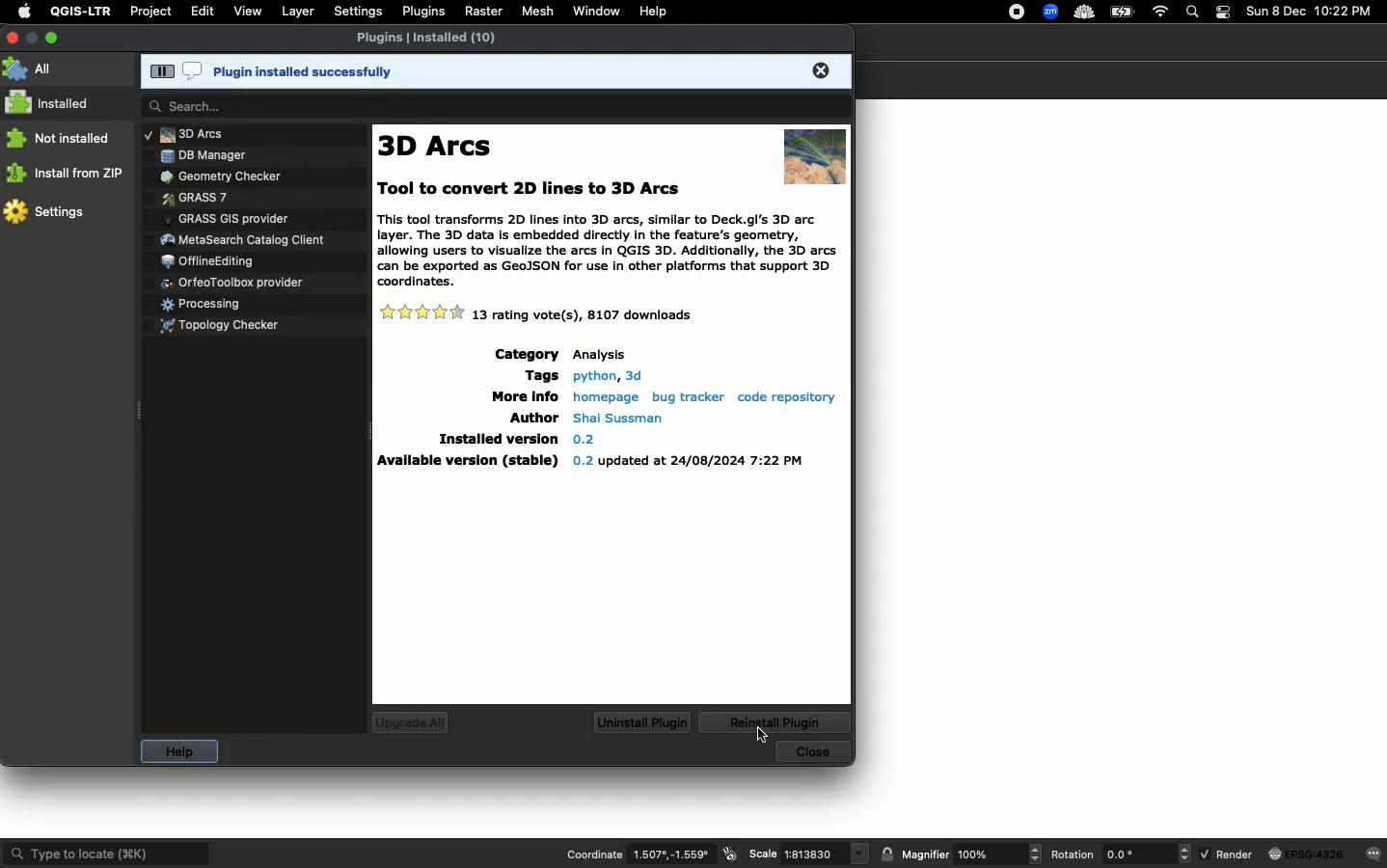 The width and height of the screenshot is (1387, 868). I want to click on Plugins, so click(200, 301).